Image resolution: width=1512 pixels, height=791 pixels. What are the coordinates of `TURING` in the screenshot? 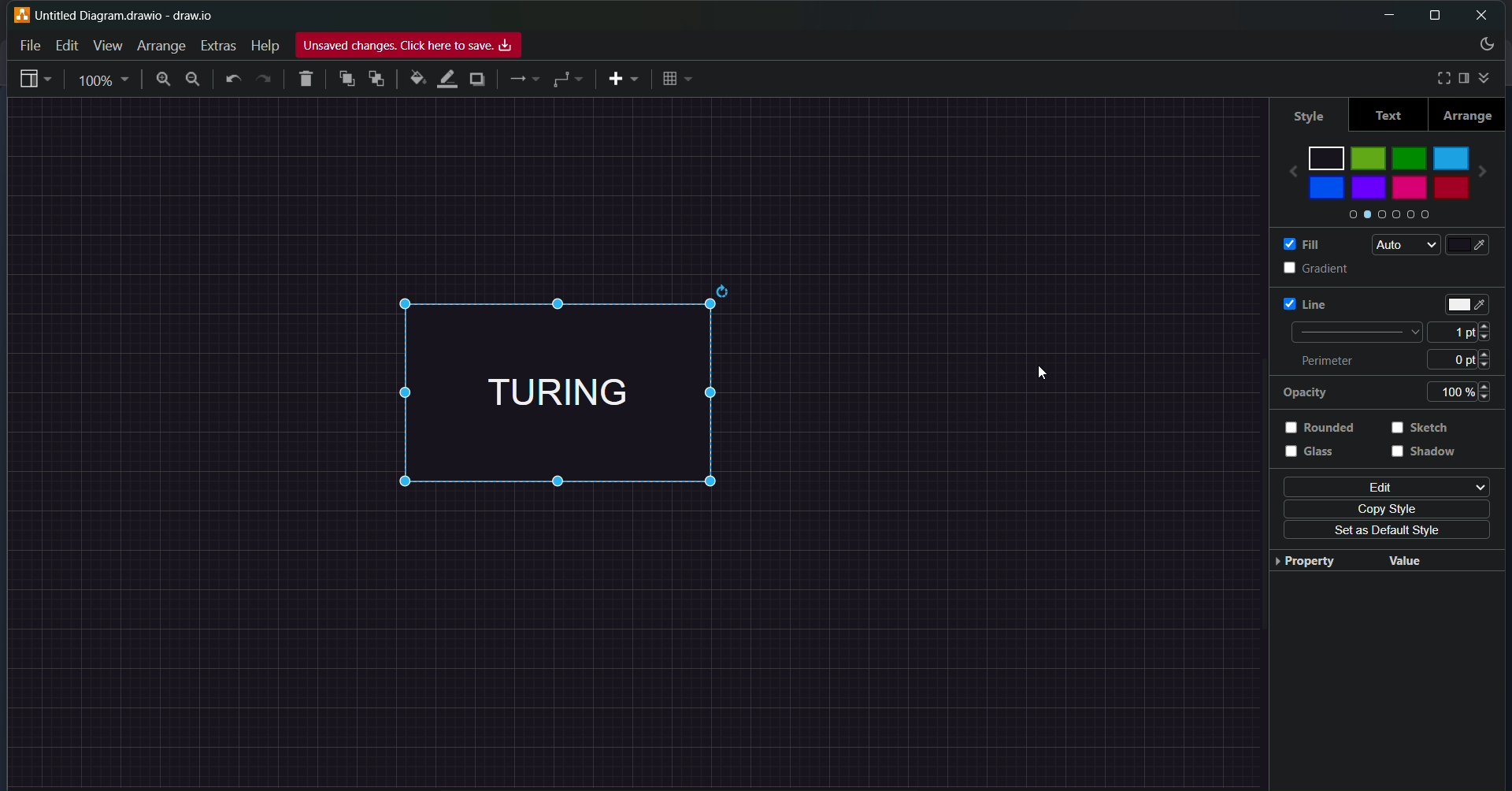 It's located at (591, 392).